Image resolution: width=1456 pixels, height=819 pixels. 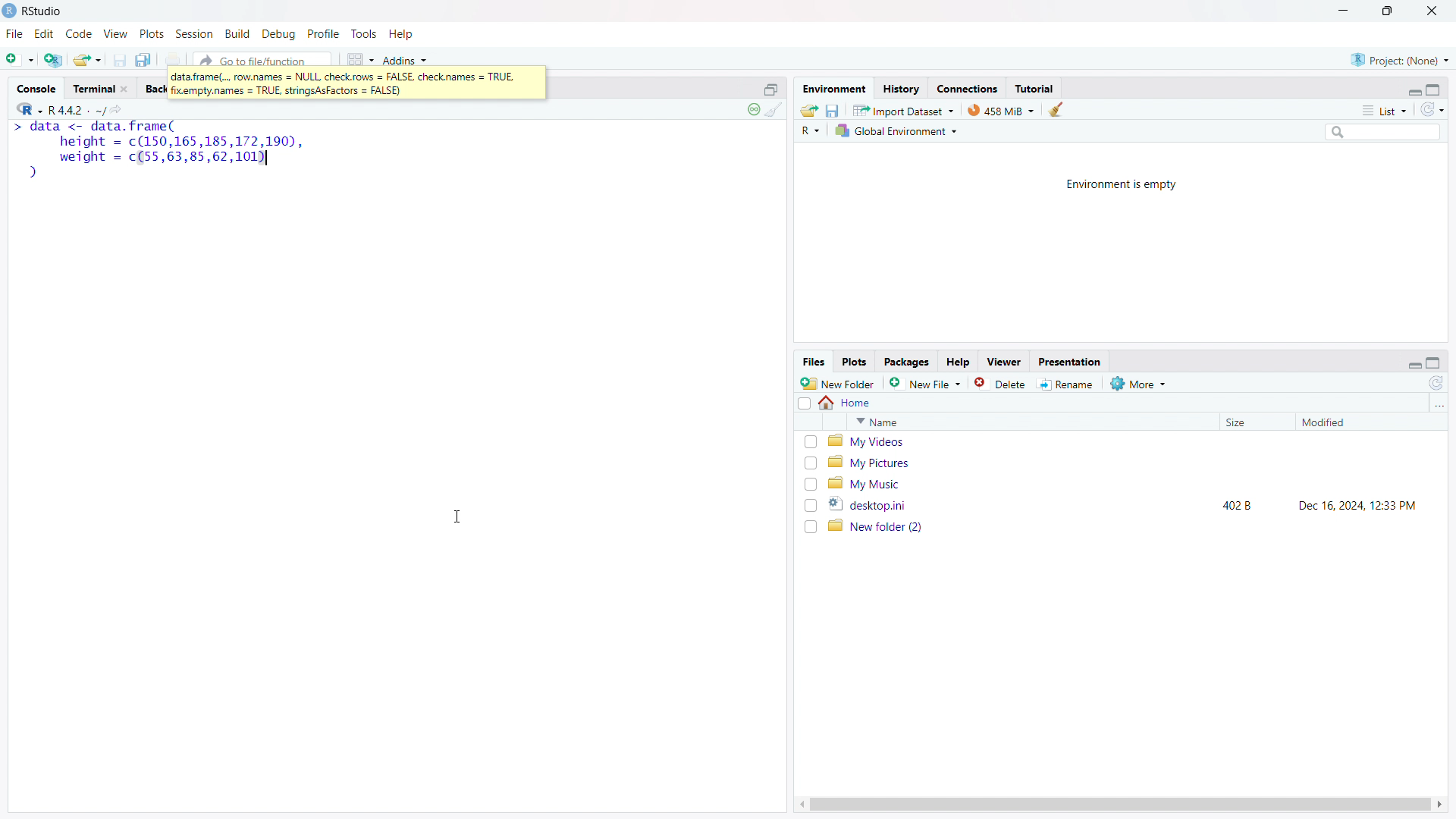 I want to click on ), so click(x=29, y=173).